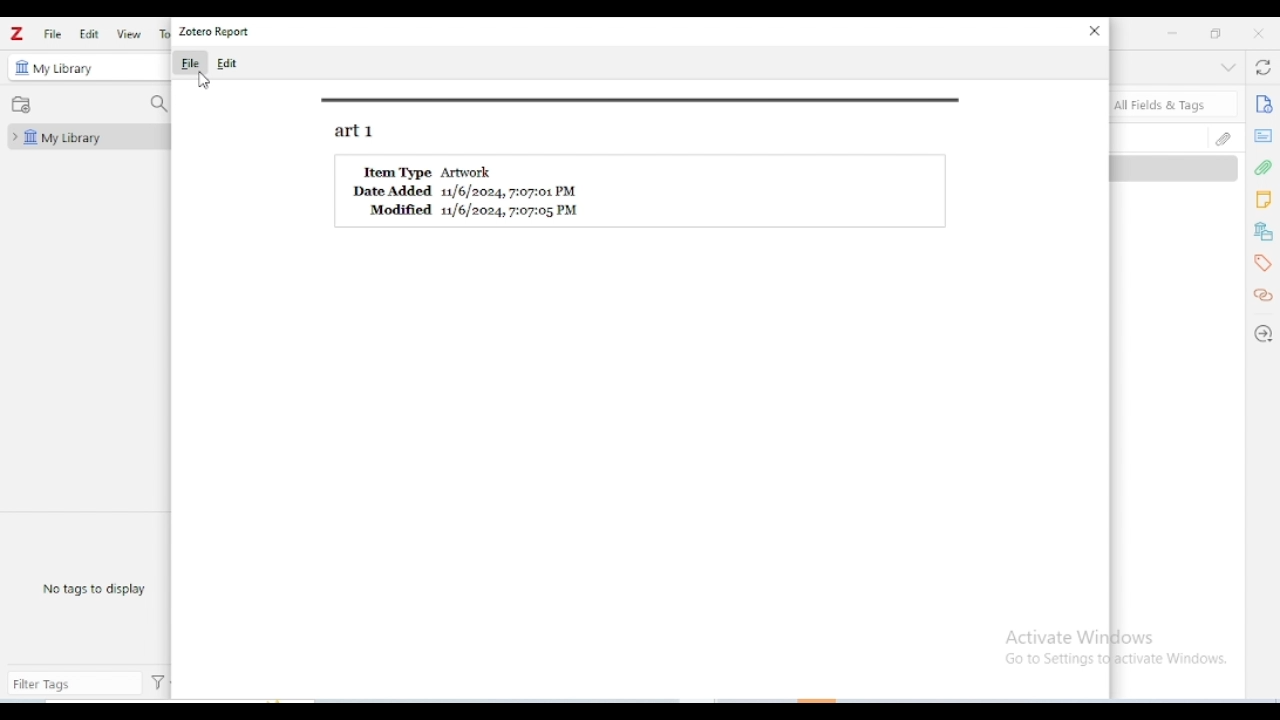 Image resolution: width=1280 pixels, height=720 pixels. Describe the element at coordinates (1095, 31) in the screenshot. I see `close` at that location.